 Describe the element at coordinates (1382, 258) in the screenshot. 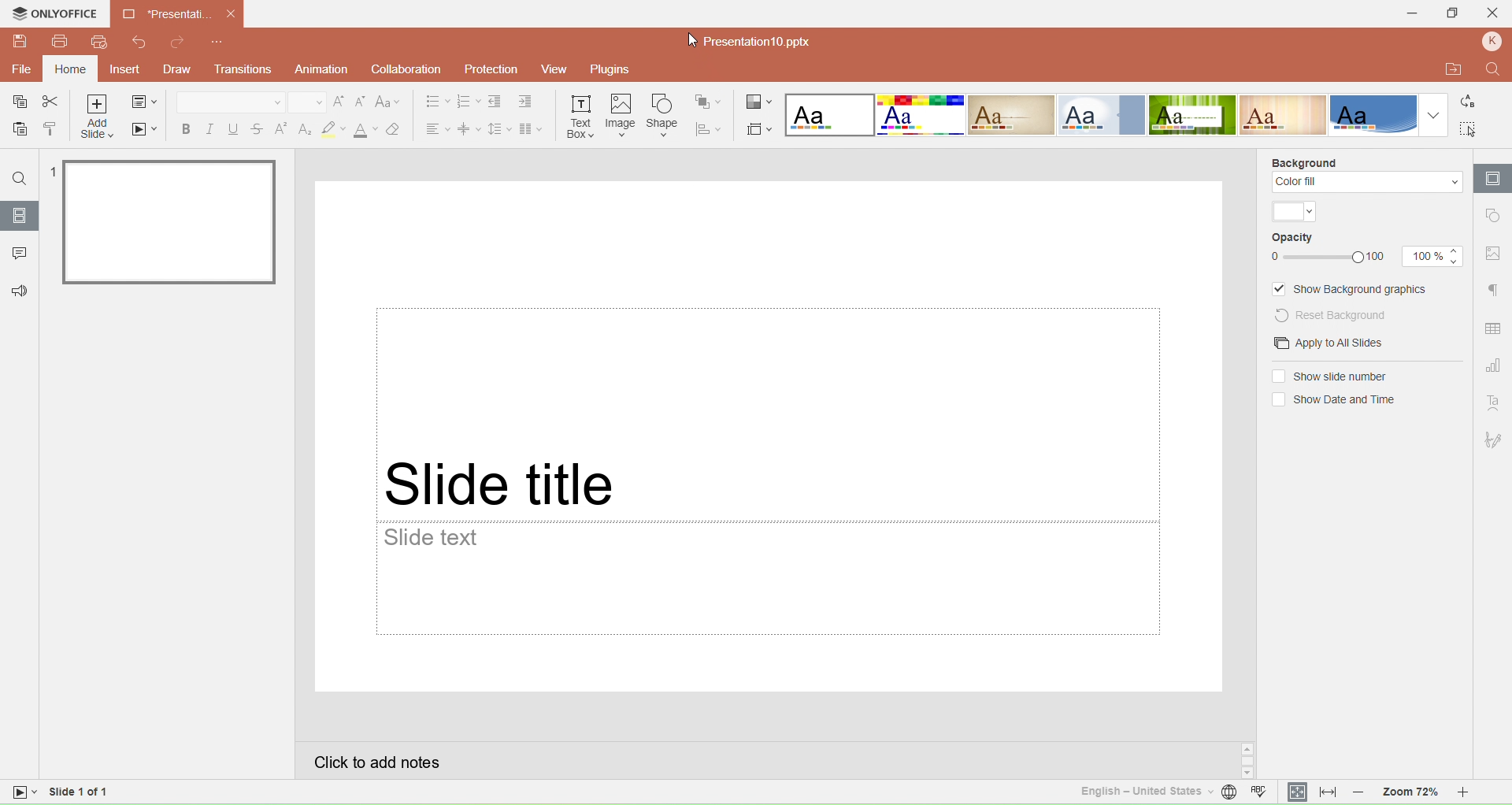

I see `100` at that location.